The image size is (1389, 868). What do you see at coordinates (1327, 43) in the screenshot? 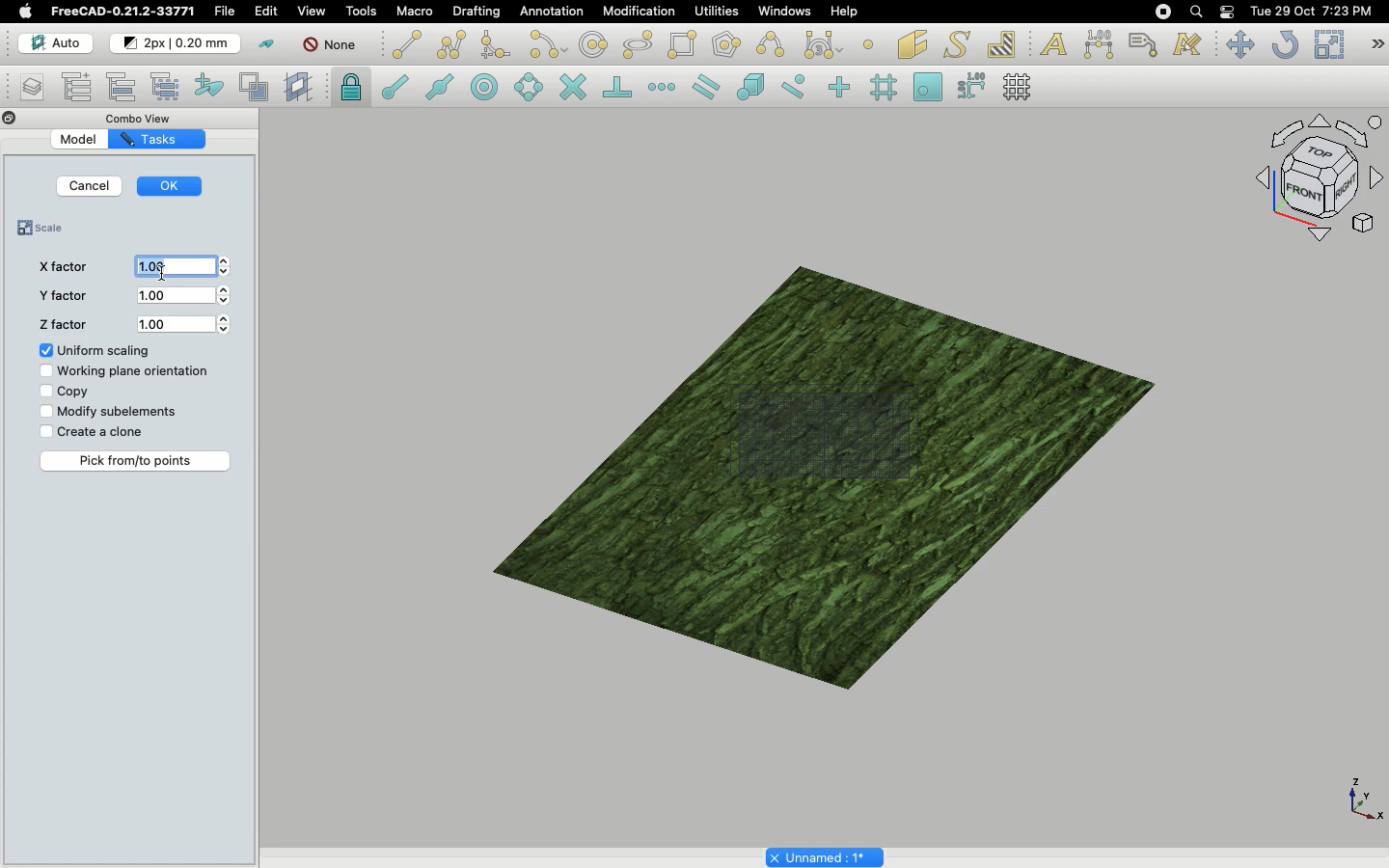
I see `Scale` at bounding box center [1327, 43].